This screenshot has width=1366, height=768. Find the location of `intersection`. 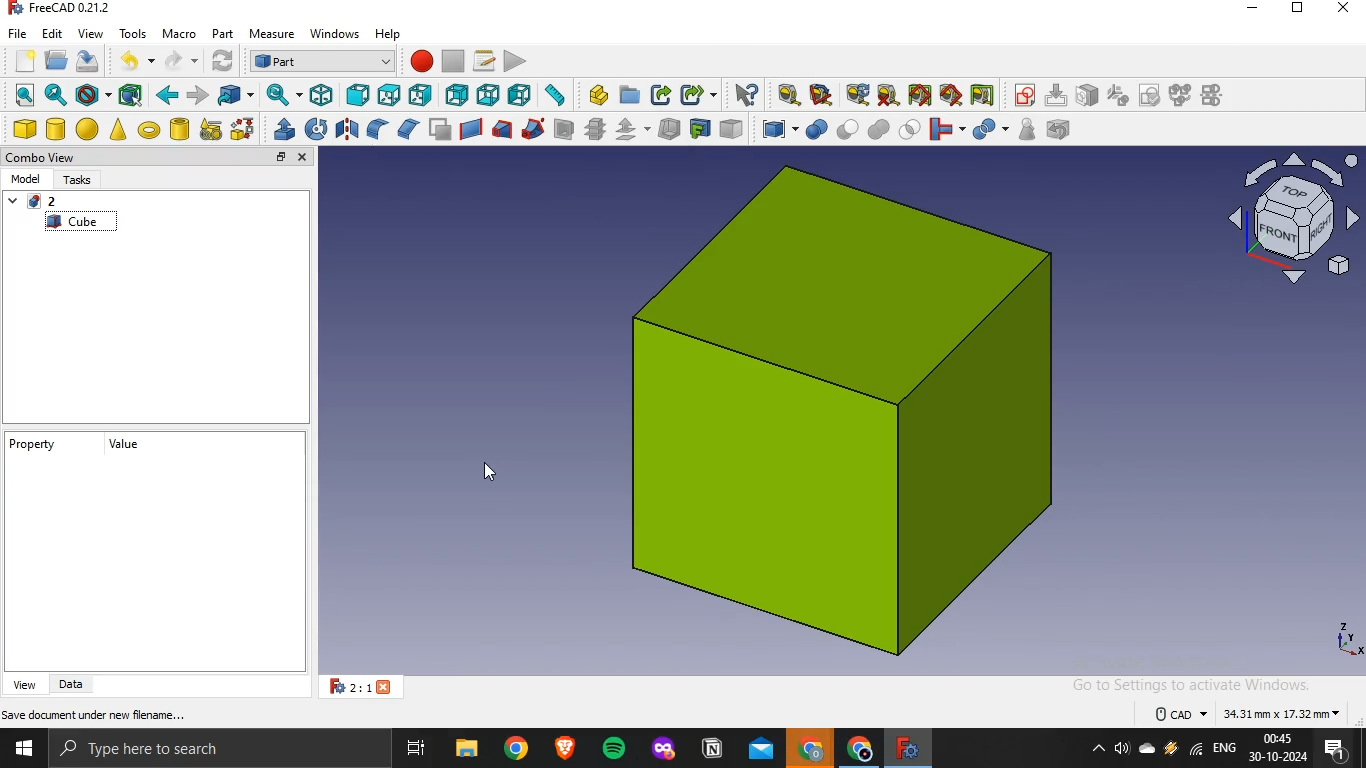

intersection is located at coordinates (908, 129).